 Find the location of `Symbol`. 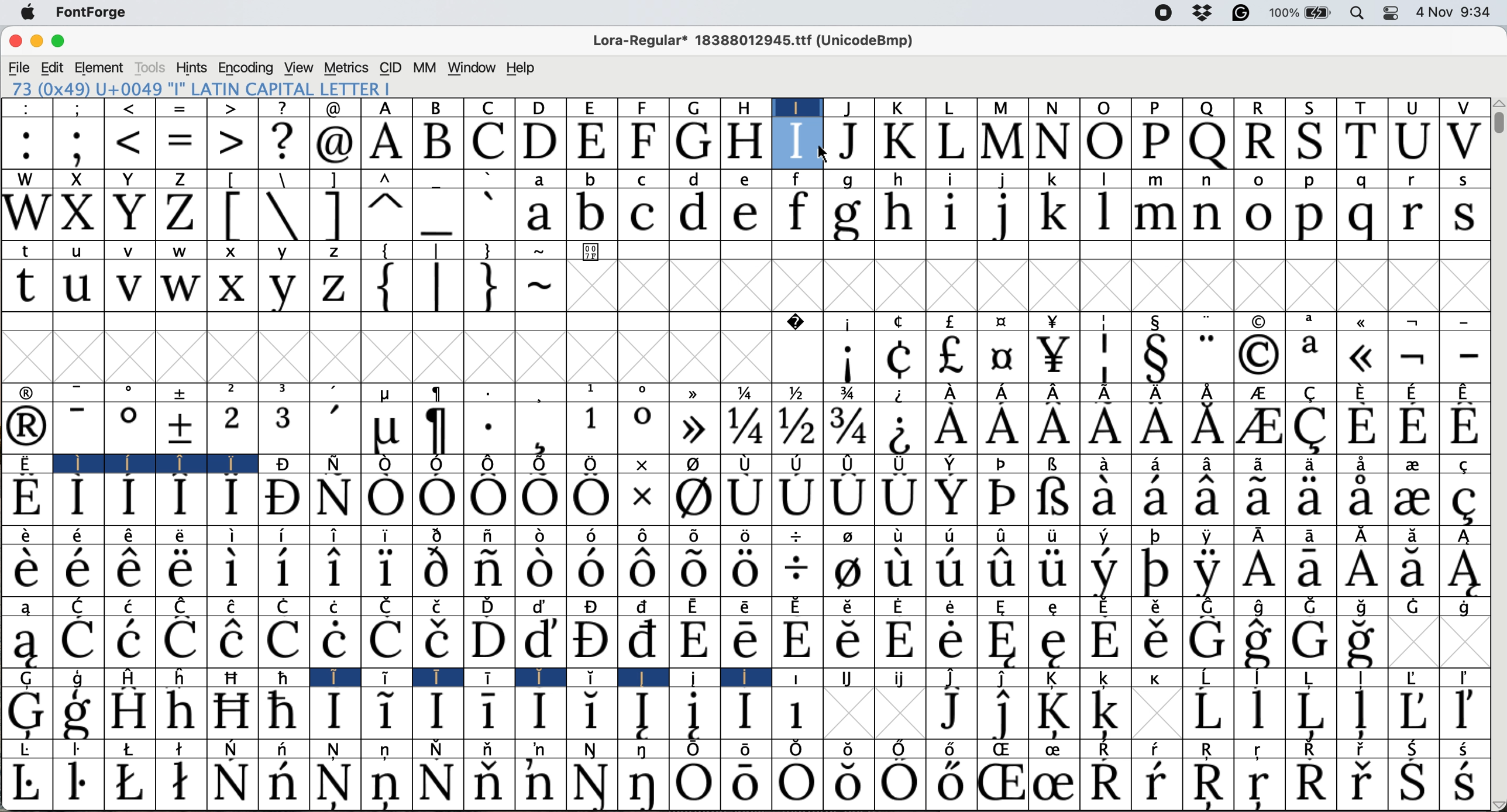

Symbol is located at coordinates (954, 570).